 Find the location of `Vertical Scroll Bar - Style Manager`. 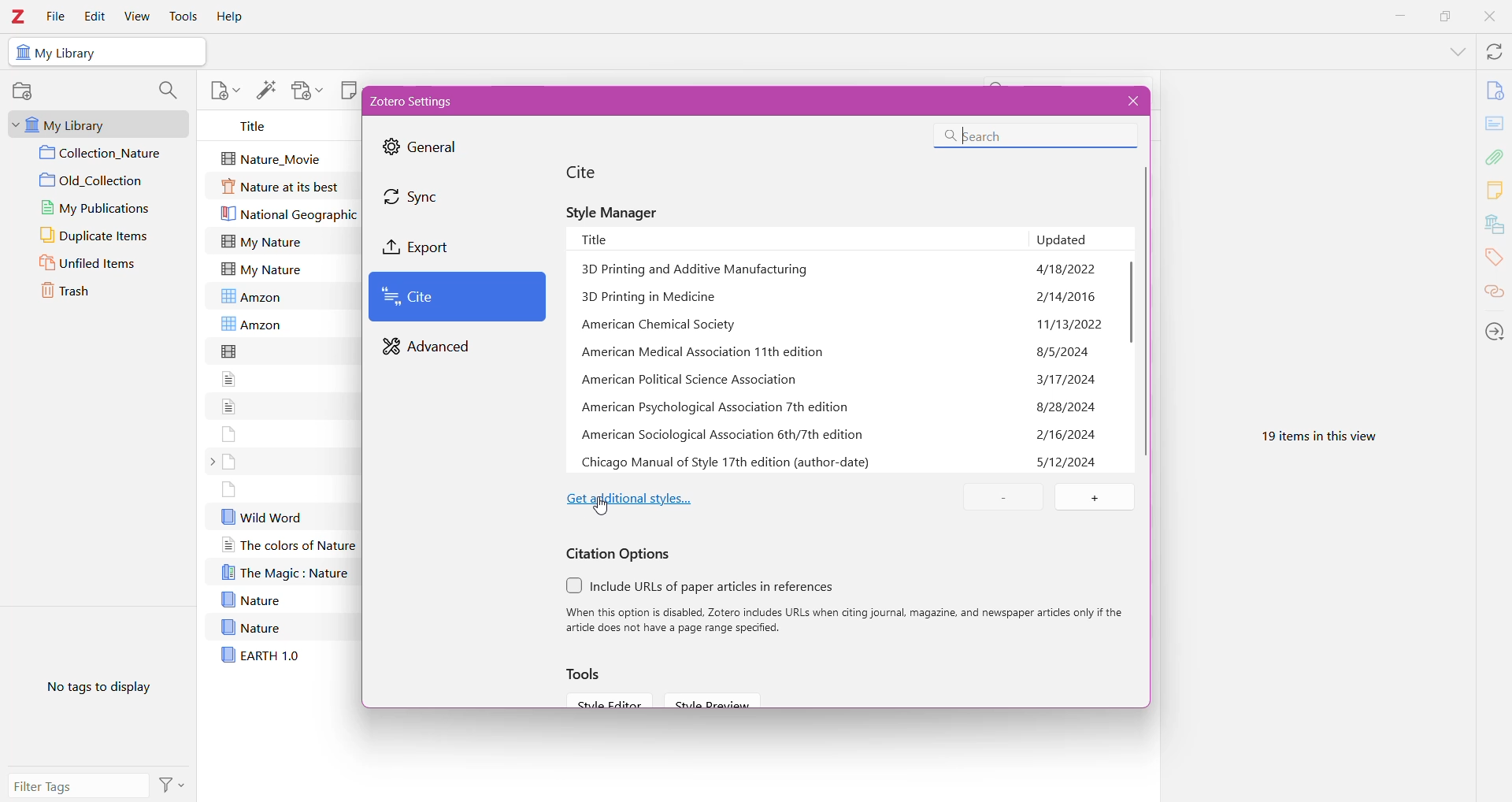

Vertical Scroll Bar - Style Manager is located at coordinates (1129, 307).